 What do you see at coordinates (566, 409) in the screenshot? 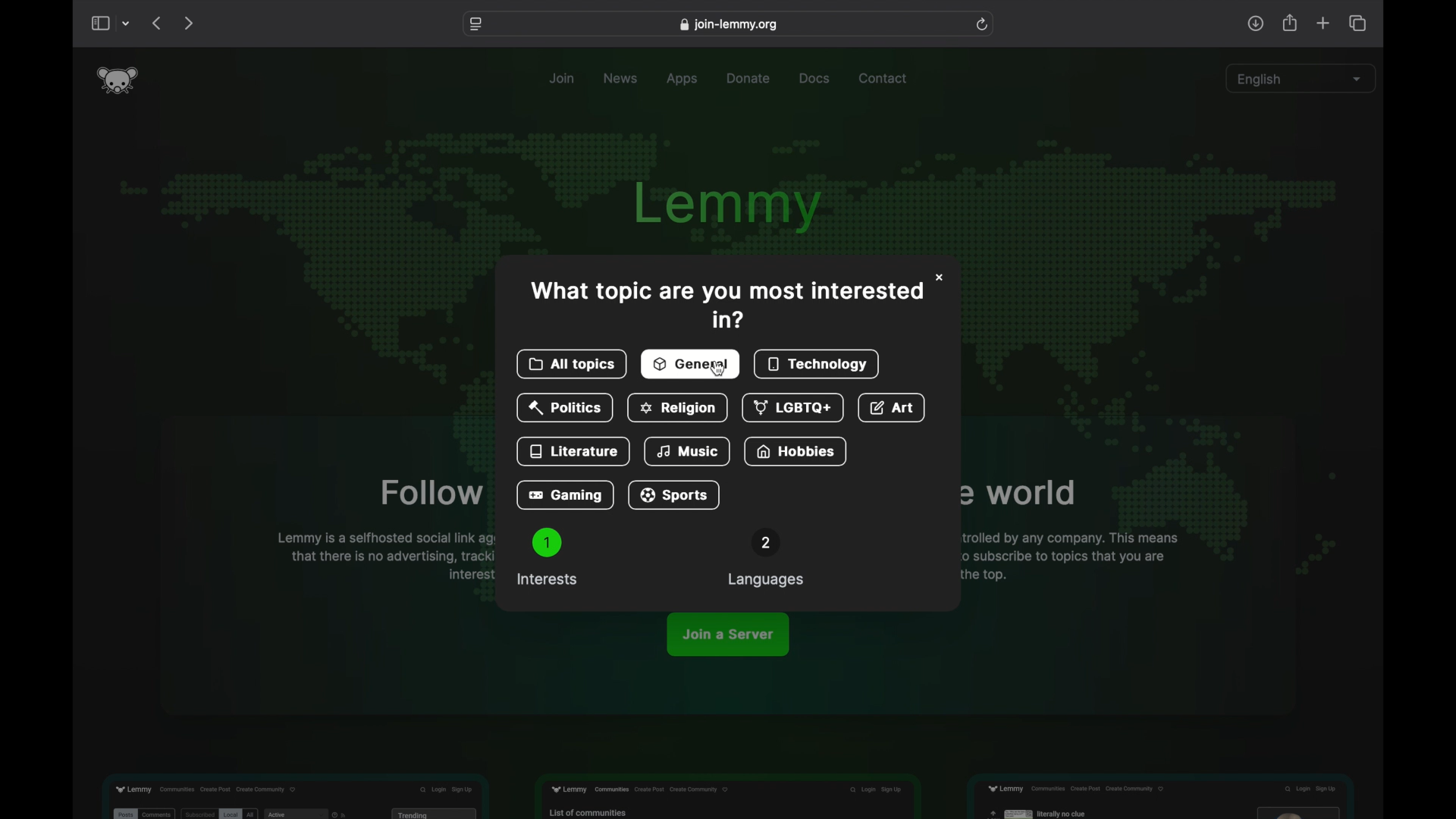
I see `politics` at bounding box center [566, 409].